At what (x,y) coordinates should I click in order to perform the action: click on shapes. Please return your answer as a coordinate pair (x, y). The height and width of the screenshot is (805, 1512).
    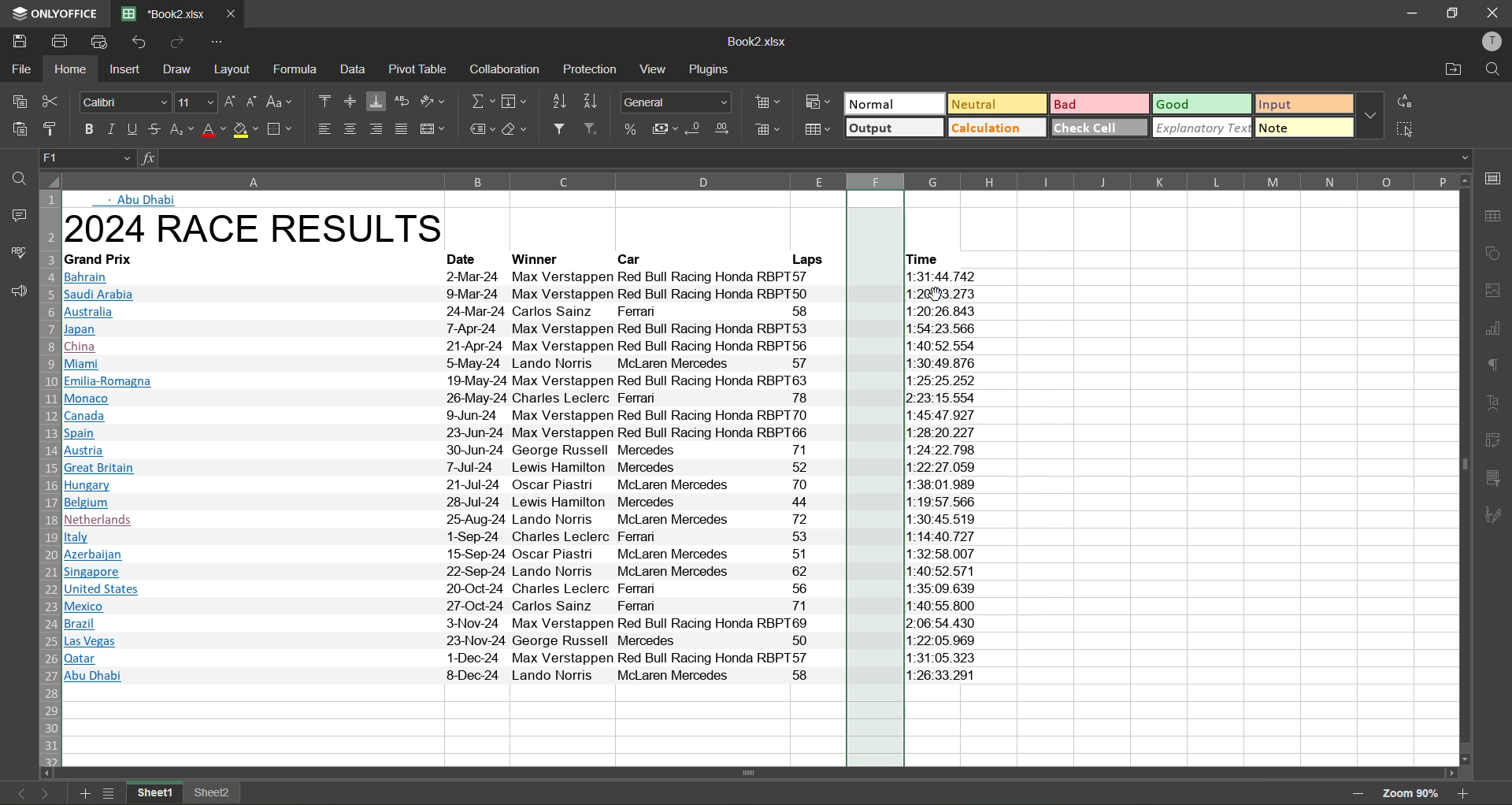
    Looking at the image, I should click on (1497, 251).